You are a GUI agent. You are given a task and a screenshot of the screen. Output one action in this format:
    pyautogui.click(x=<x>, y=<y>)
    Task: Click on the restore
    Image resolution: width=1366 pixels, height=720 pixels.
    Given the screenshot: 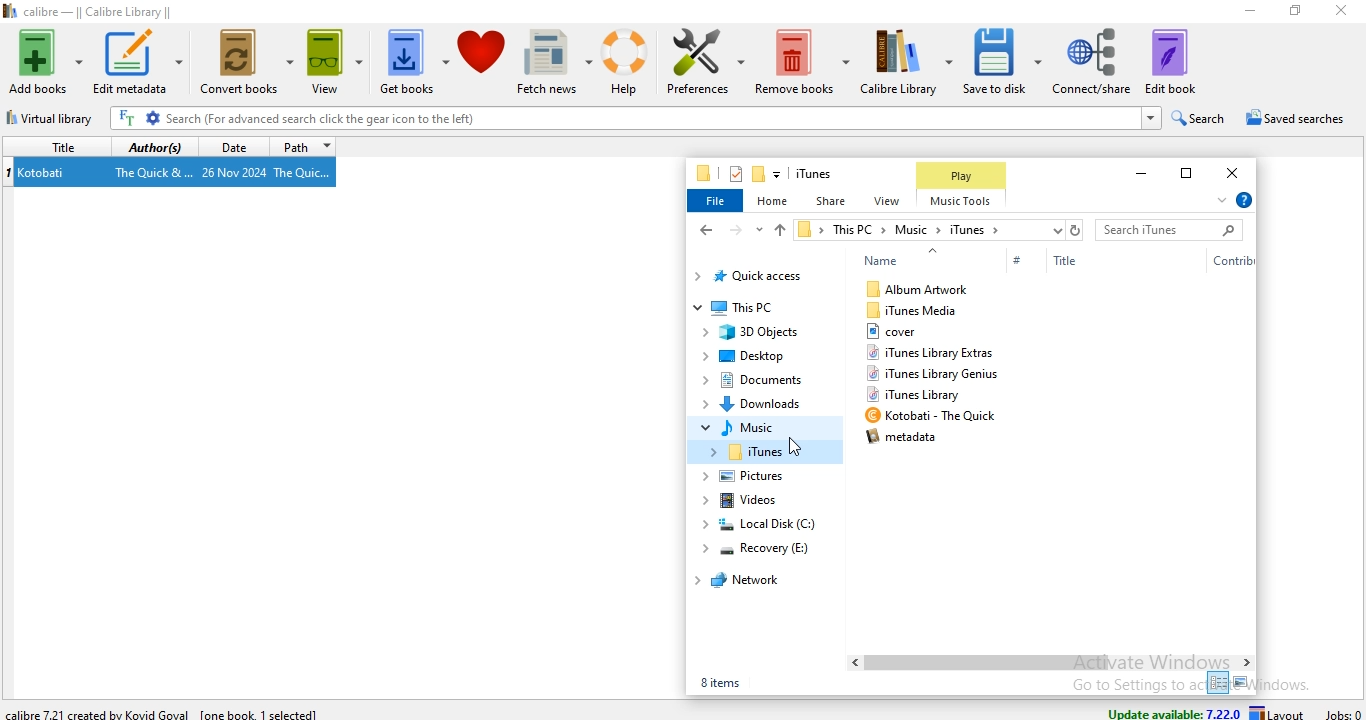 What is the action you would take?
    pyautogui.click(x=1183, y=171)
    